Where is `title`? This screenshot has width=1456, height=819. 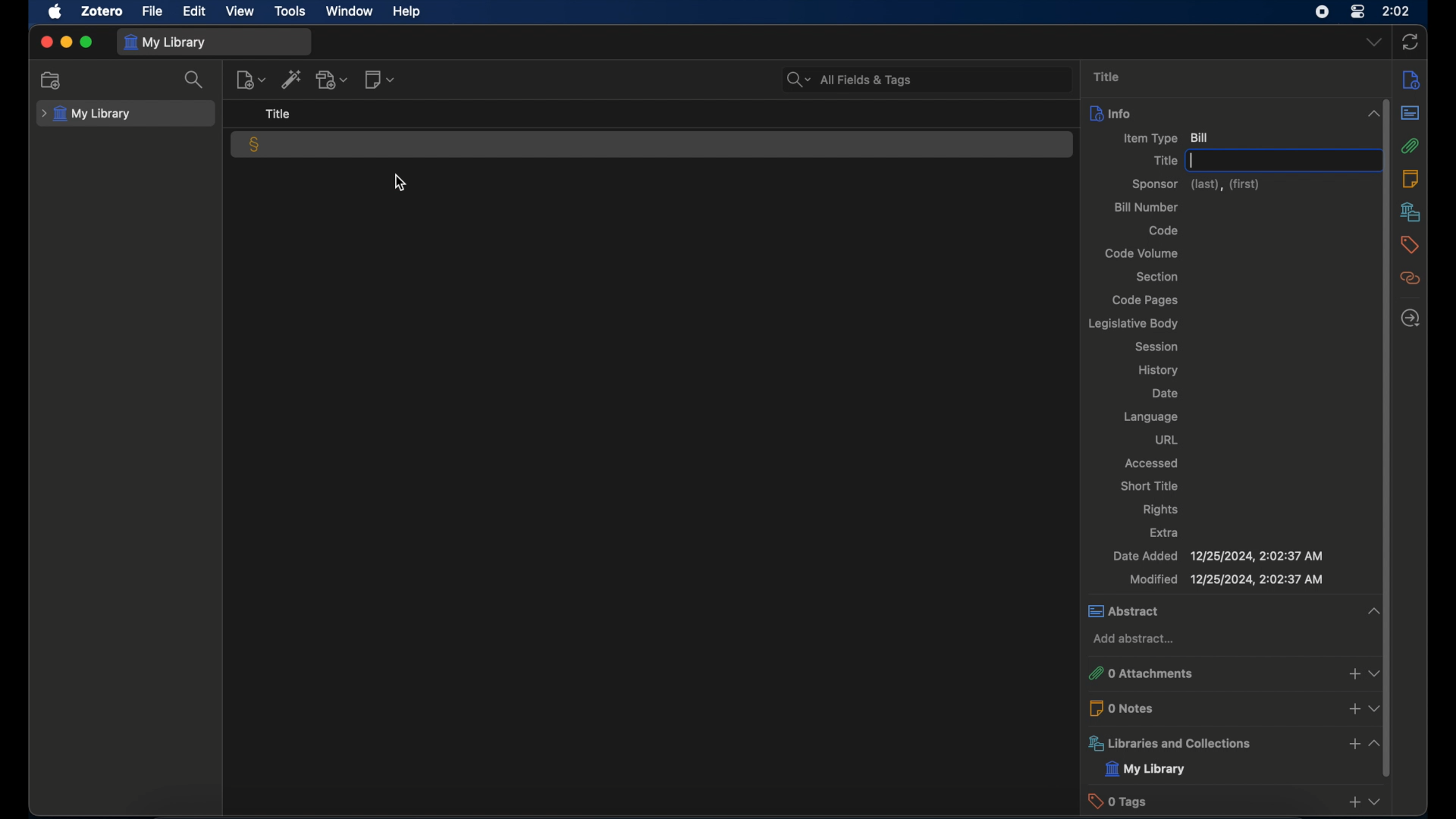 title is located at coordinates (1165, 161).